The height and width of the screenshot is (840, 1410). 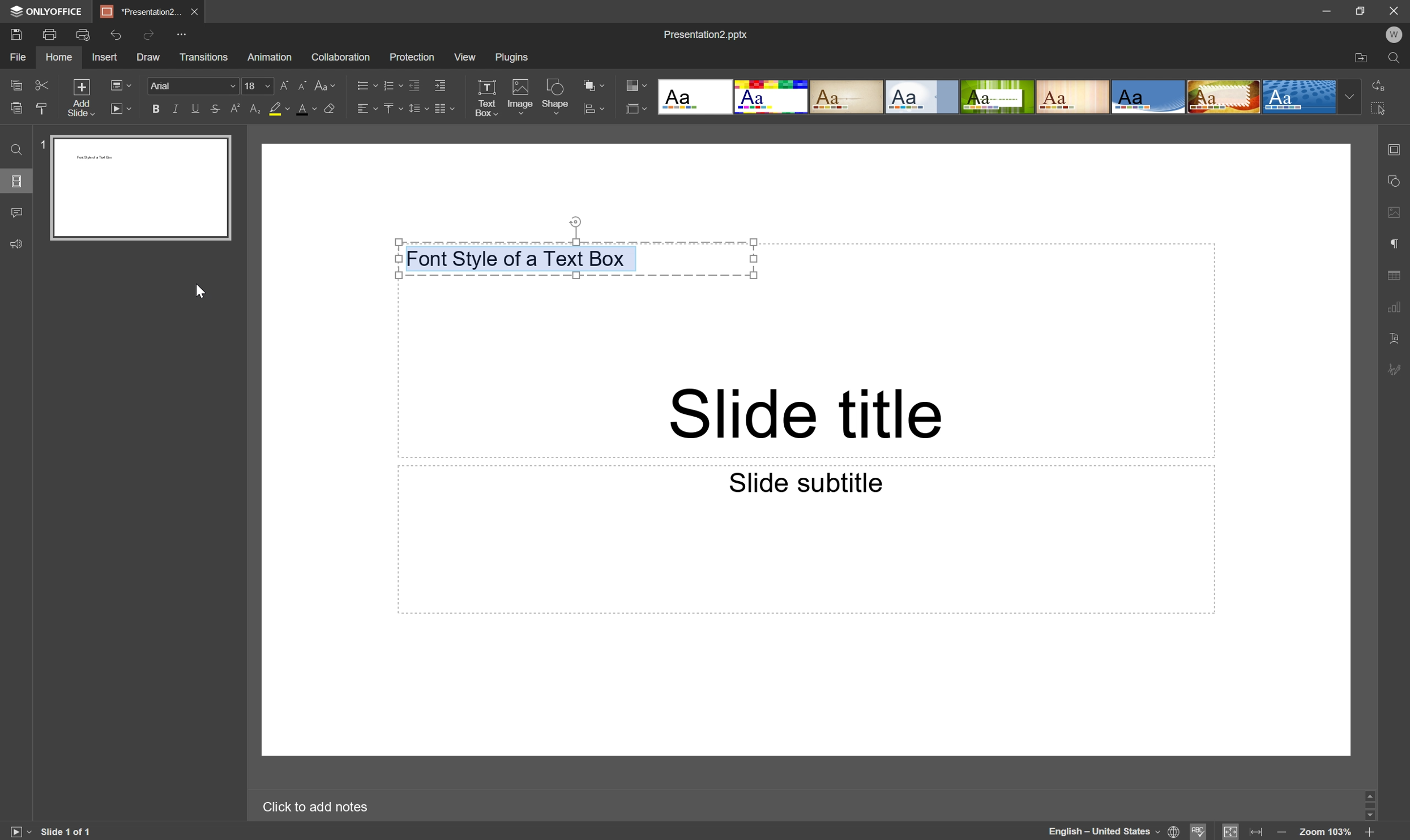 What do you see at coordinates (49, 33) in the screenshot?
I see `Print file` at bounding box center [49, 33].